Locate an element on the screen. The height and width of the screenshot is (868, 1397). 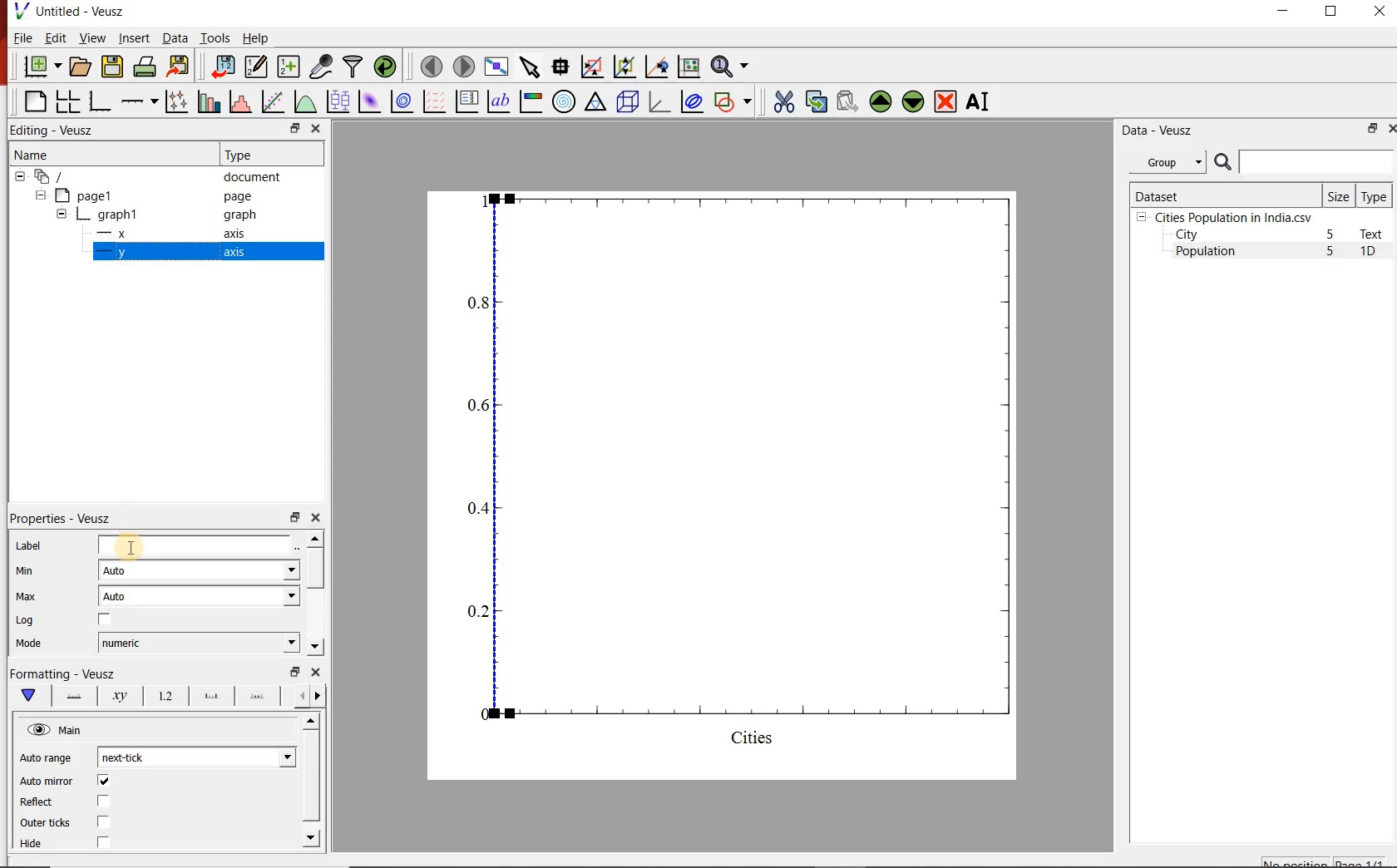
Formatting - Veusz is located at coordinates (64, 674).